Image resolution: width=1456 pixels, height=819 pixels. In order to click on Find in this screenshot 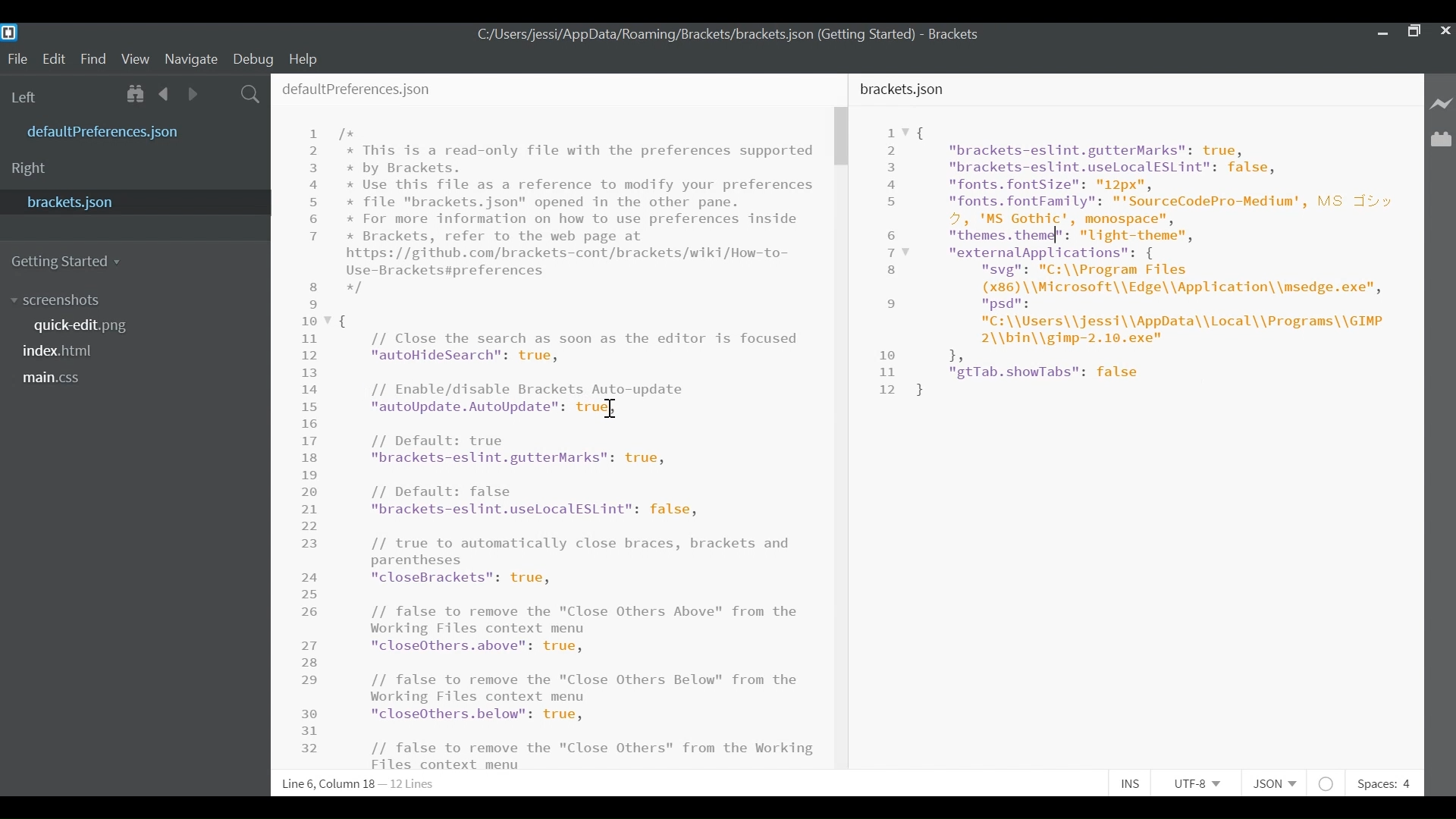, I will do `click(93, 58)`.